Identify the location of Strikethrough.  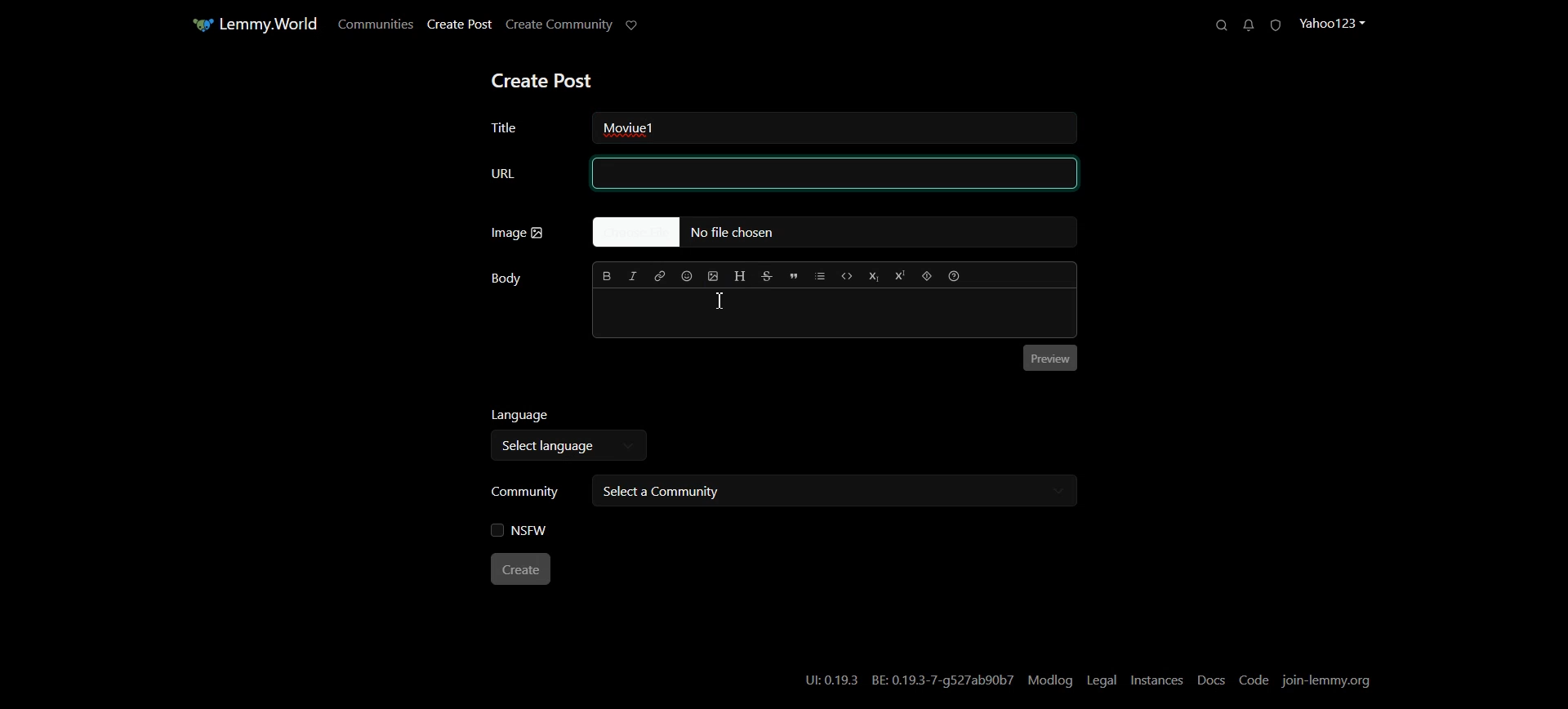
(768, 276).